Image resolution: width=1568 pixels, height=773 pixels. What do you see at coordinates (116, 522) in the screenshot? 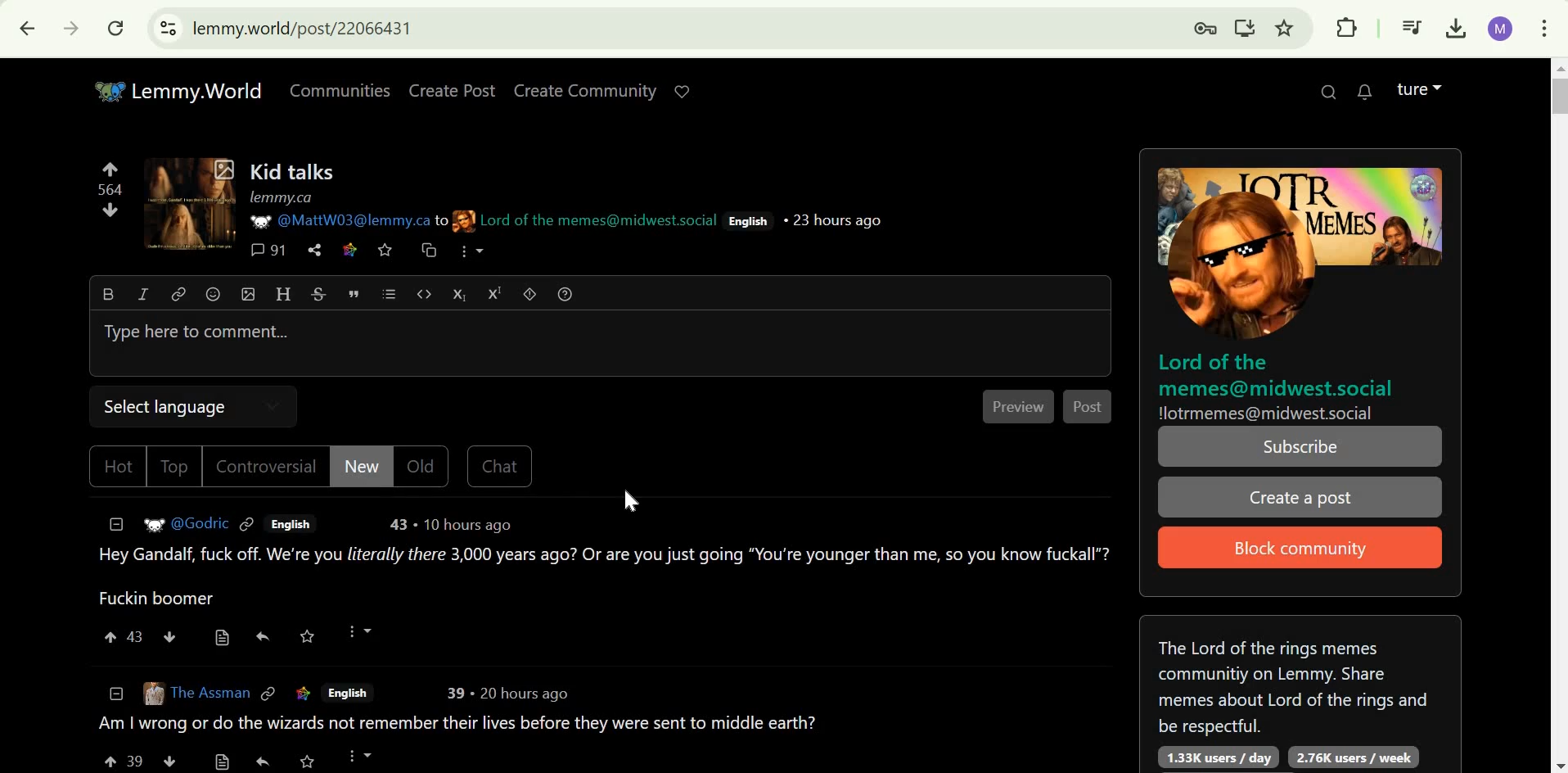
I see `collapse` at bounding box center [116, 522].